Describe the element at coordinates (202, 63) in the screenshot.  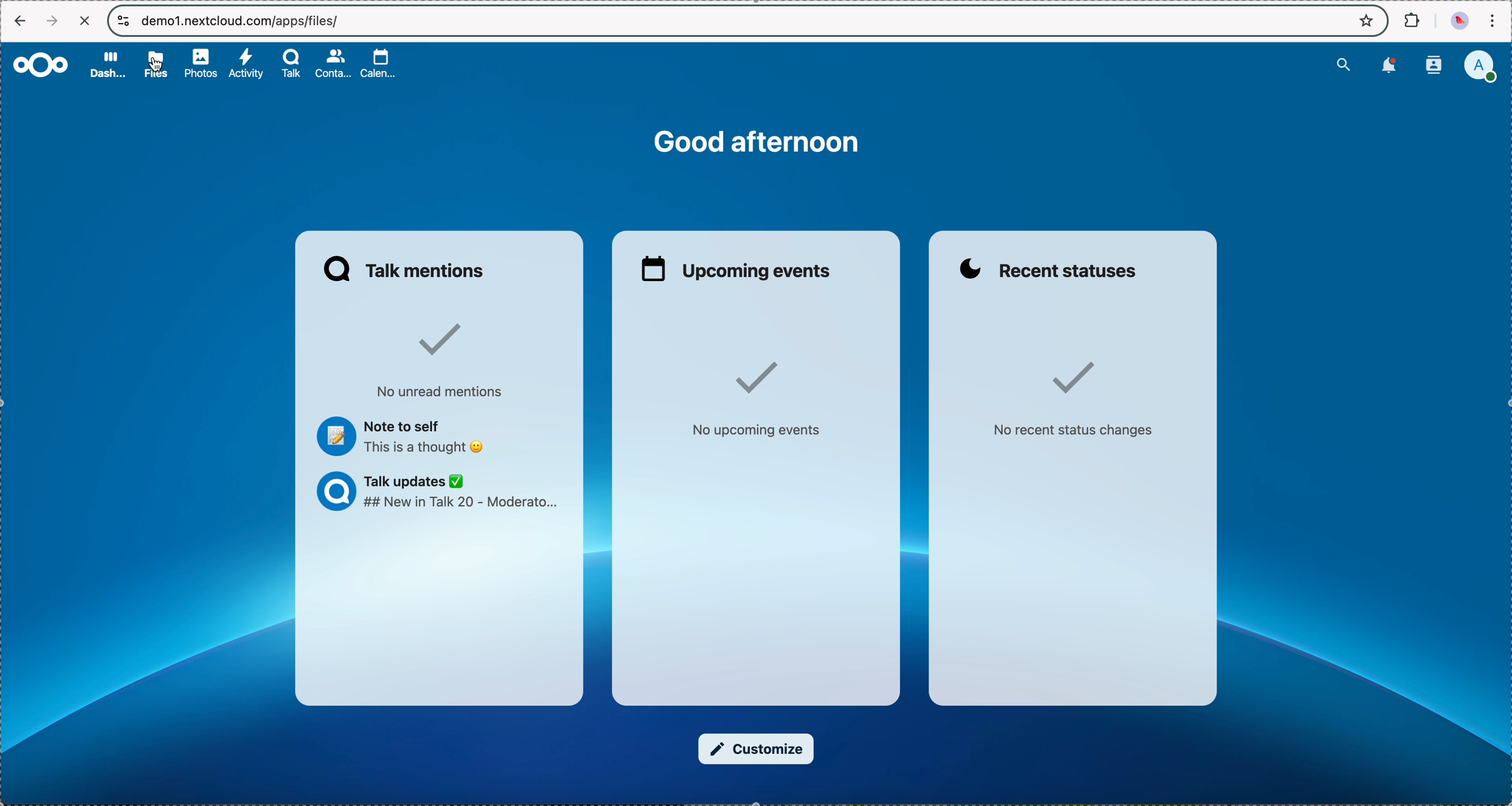
I see `photos` at that location.